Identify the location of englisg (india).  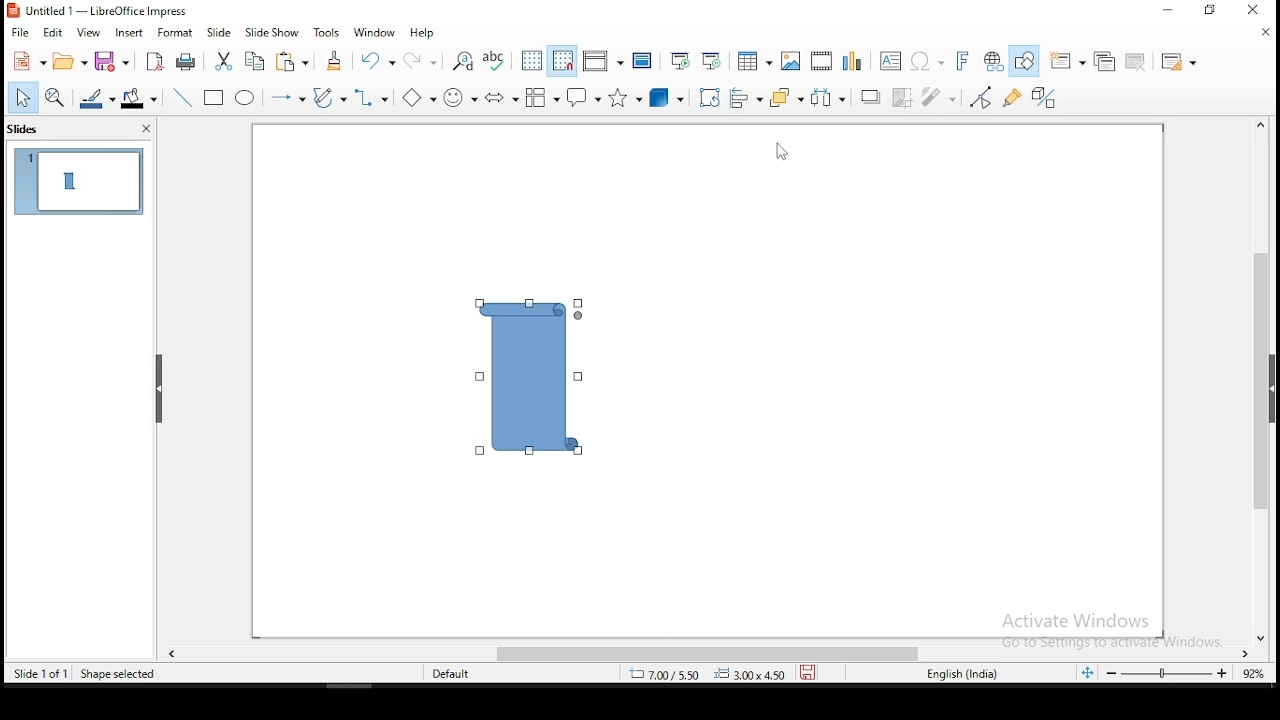
(953, 673).